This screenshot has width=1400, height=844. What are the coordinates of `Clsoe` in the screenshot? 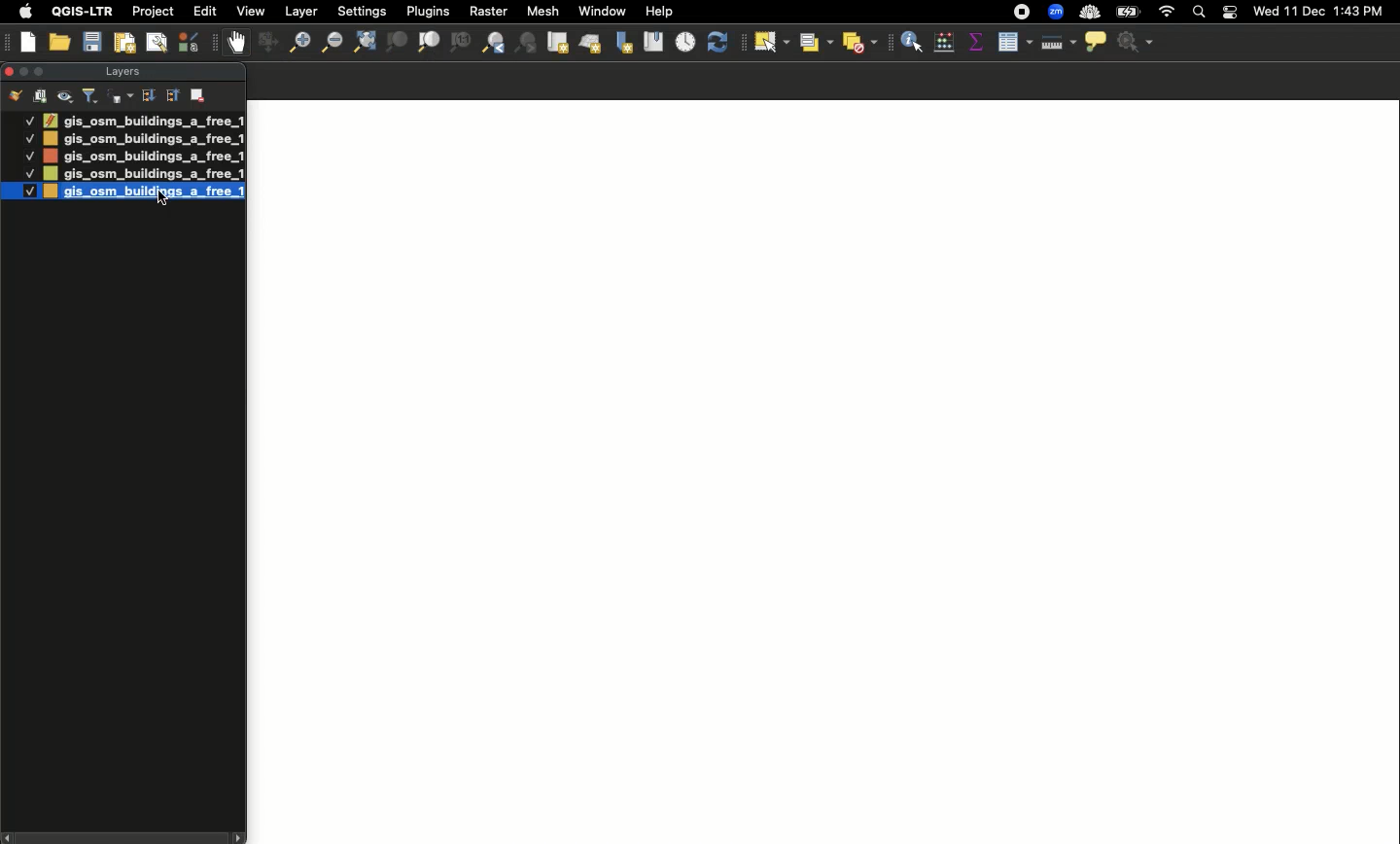 It's located at (9, 71).